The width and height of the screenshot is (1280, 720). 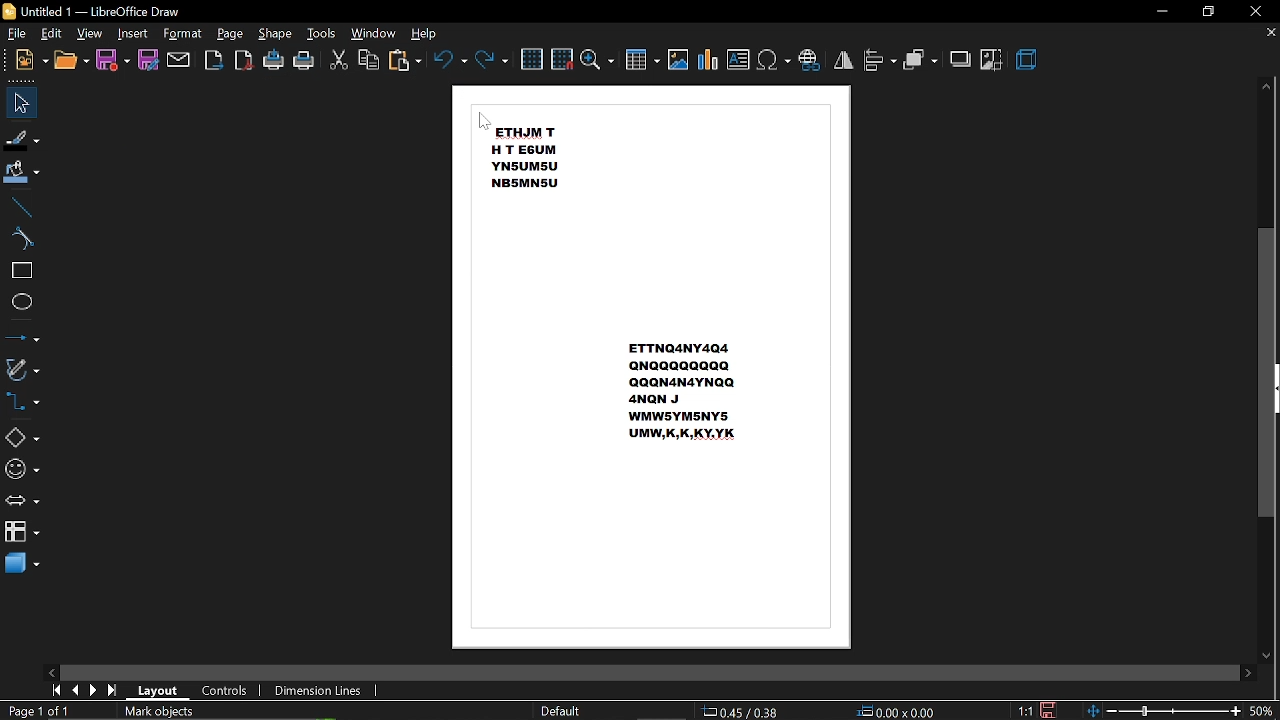 What do you see at coordinates (678, 60) in the screenshot?
I see `insert image` at bounding box center [678, 60].